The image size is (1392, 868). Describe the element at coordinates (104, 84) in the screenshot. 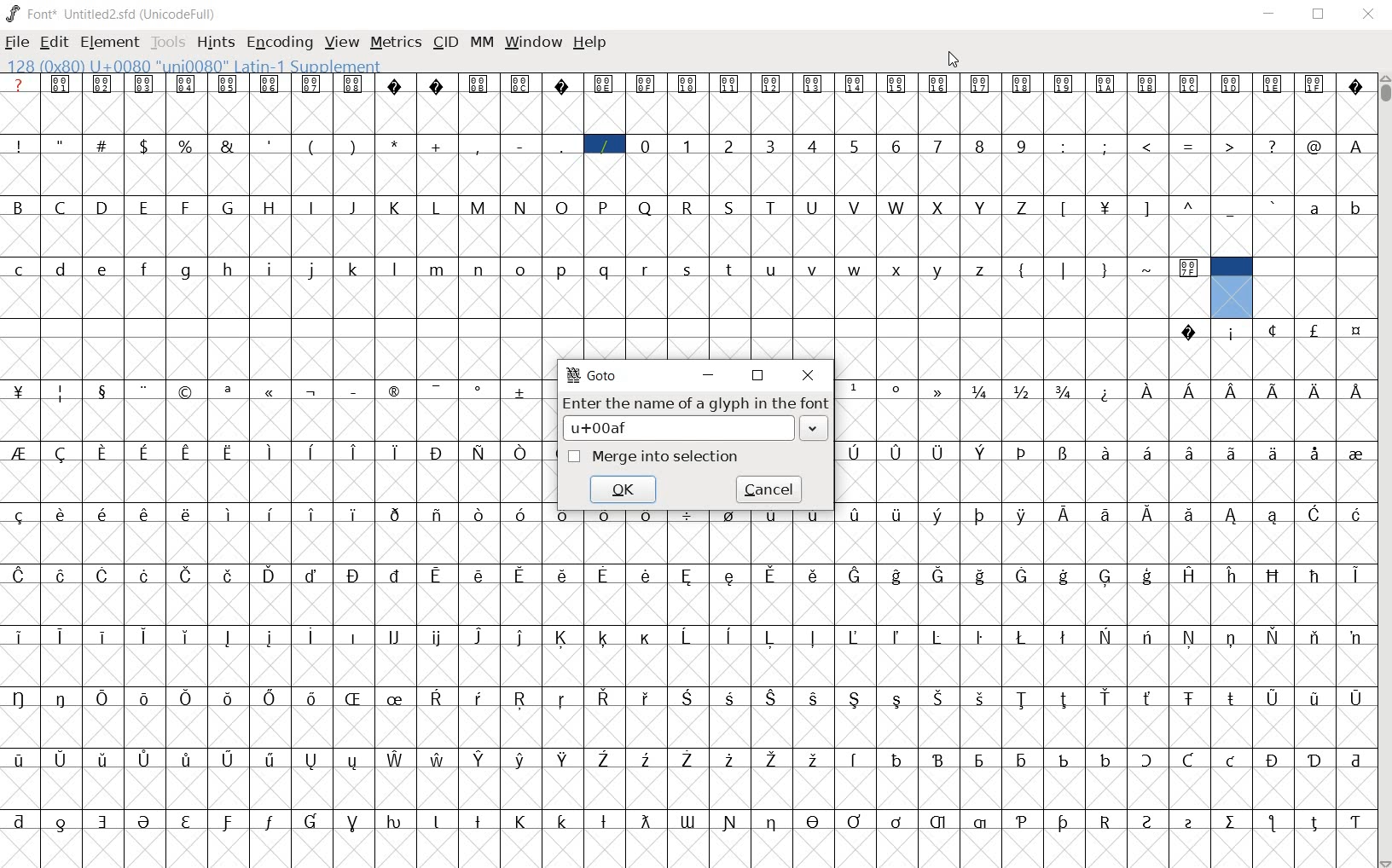

I see `Symbol` at that location.